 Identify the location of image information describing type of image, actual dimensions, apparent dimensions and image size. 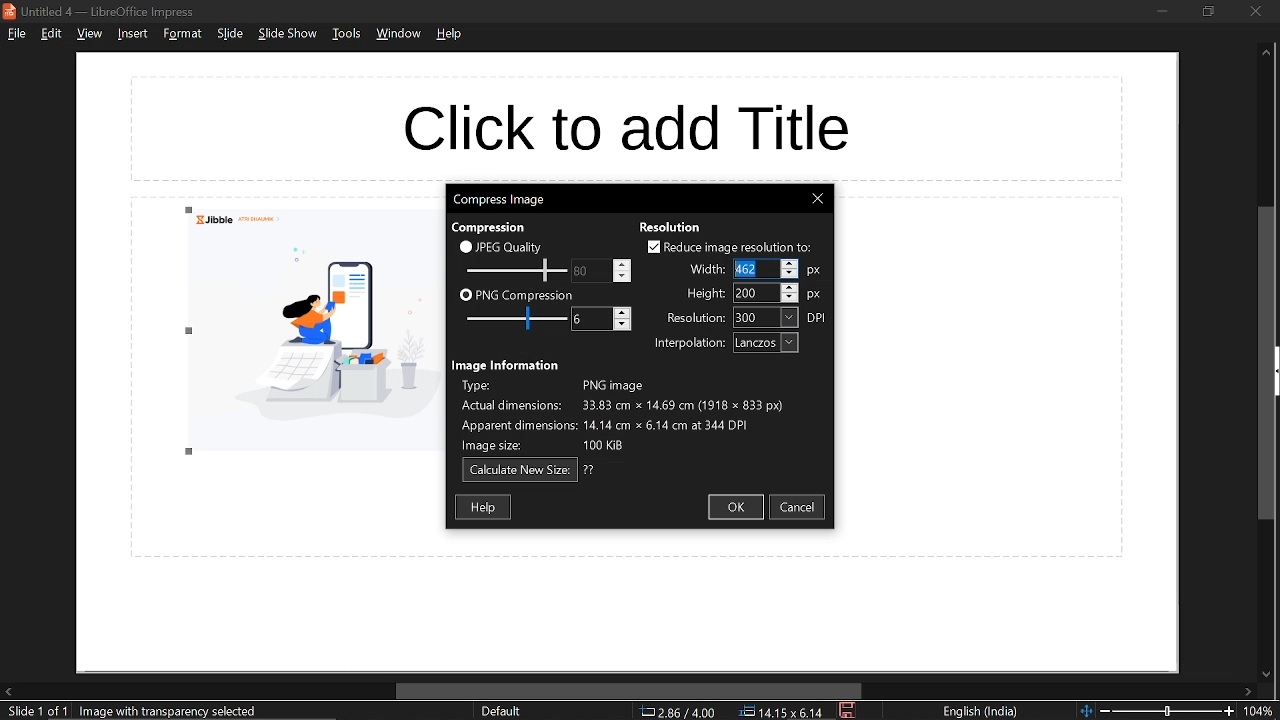
(634, 416).